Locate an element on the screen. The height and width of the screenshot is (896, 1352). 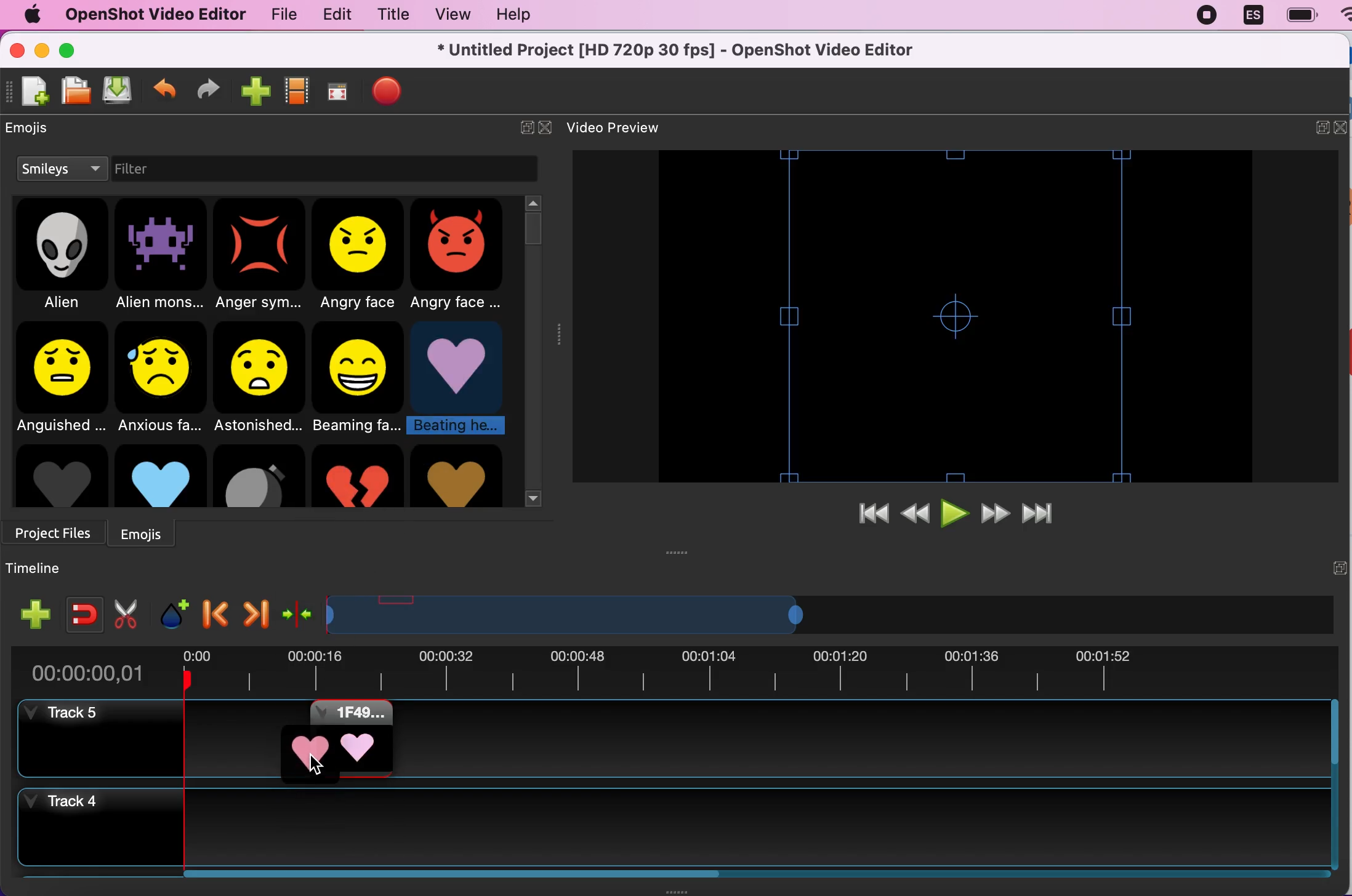
emojis is located at coordinates (149, 532).